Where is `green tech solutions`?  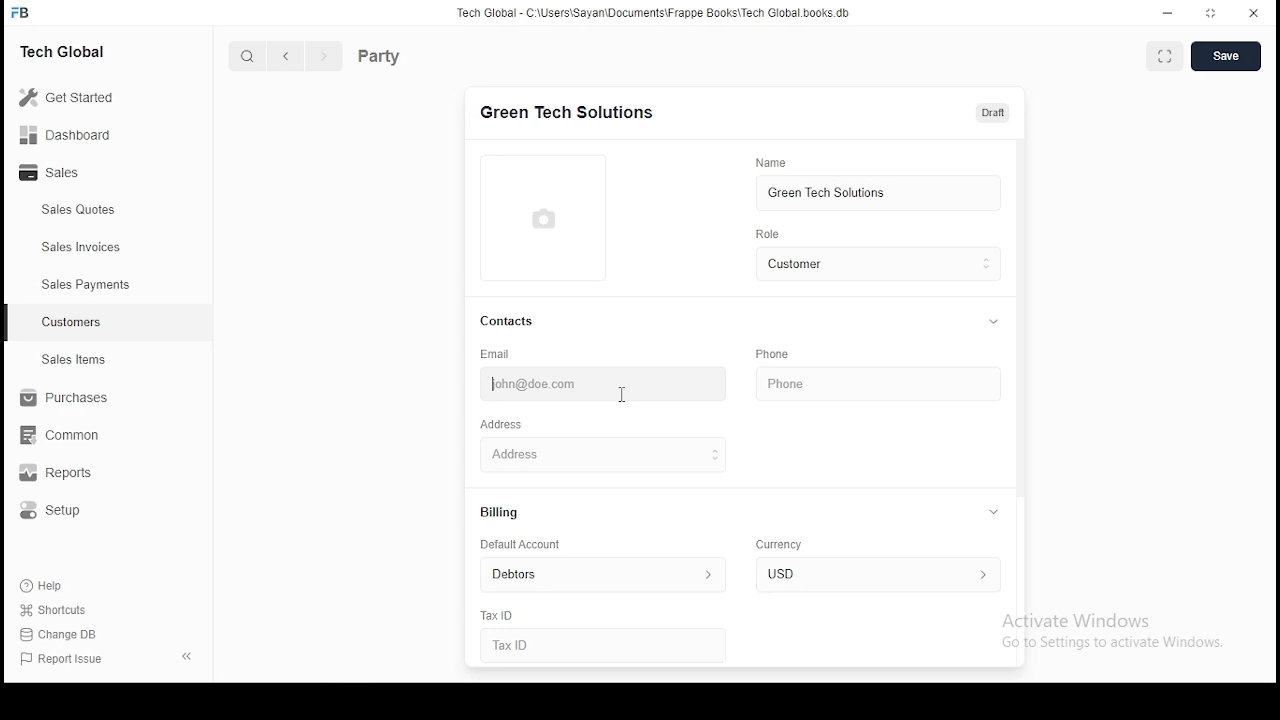 green tech solutions is located at coordinates (573, 111).